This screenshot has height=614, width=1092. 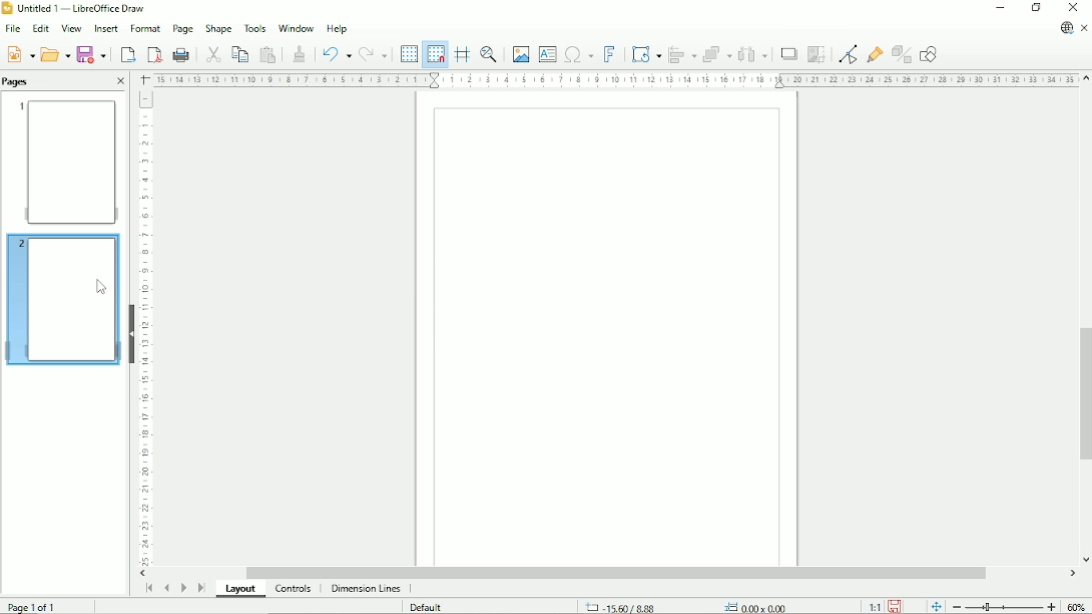 I want to click on Page, so click(x=182, y=29).